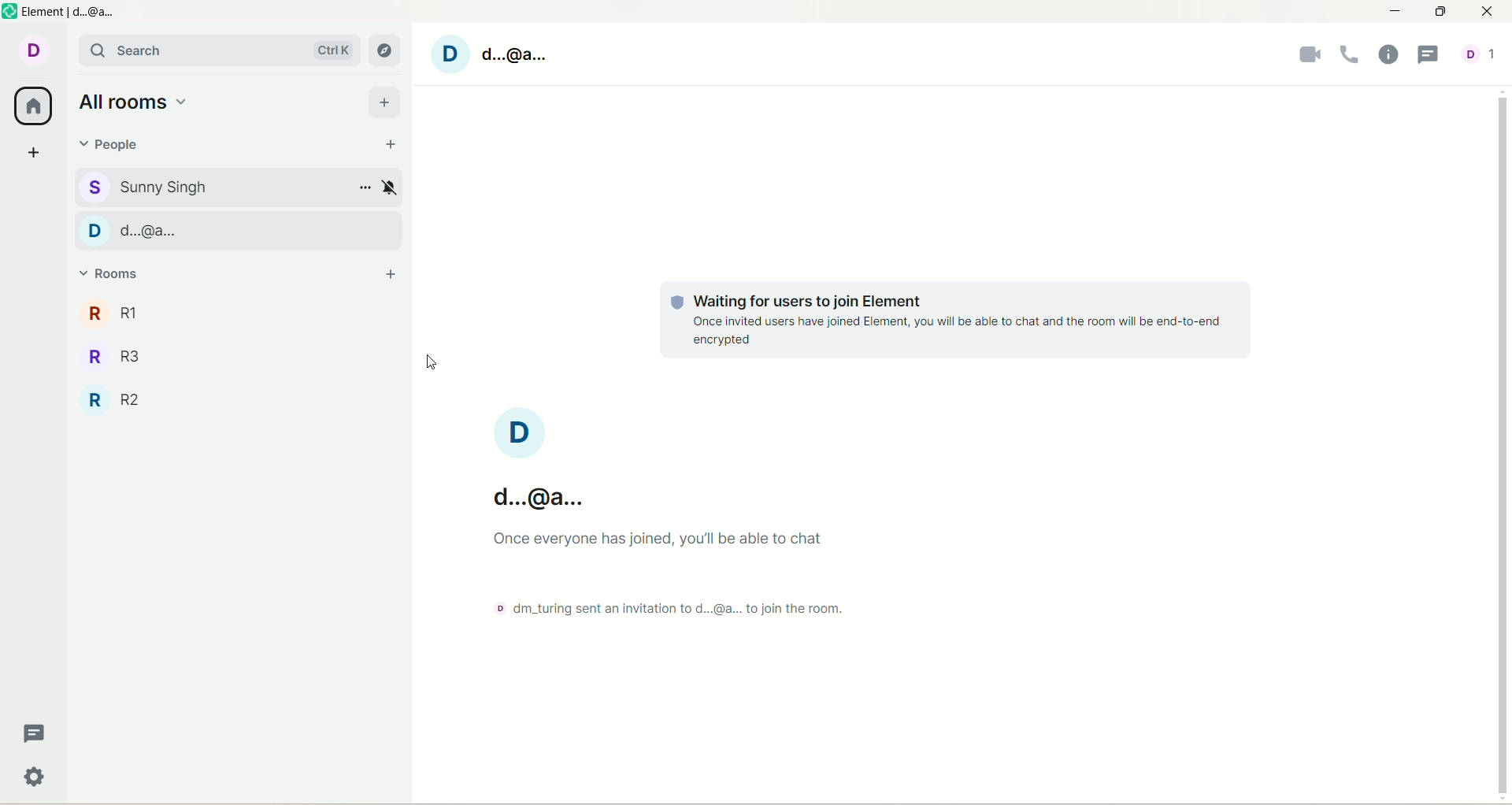  Describe the element at coordinates (141, 105) in the screenshot. I see `all rooms` at that location.